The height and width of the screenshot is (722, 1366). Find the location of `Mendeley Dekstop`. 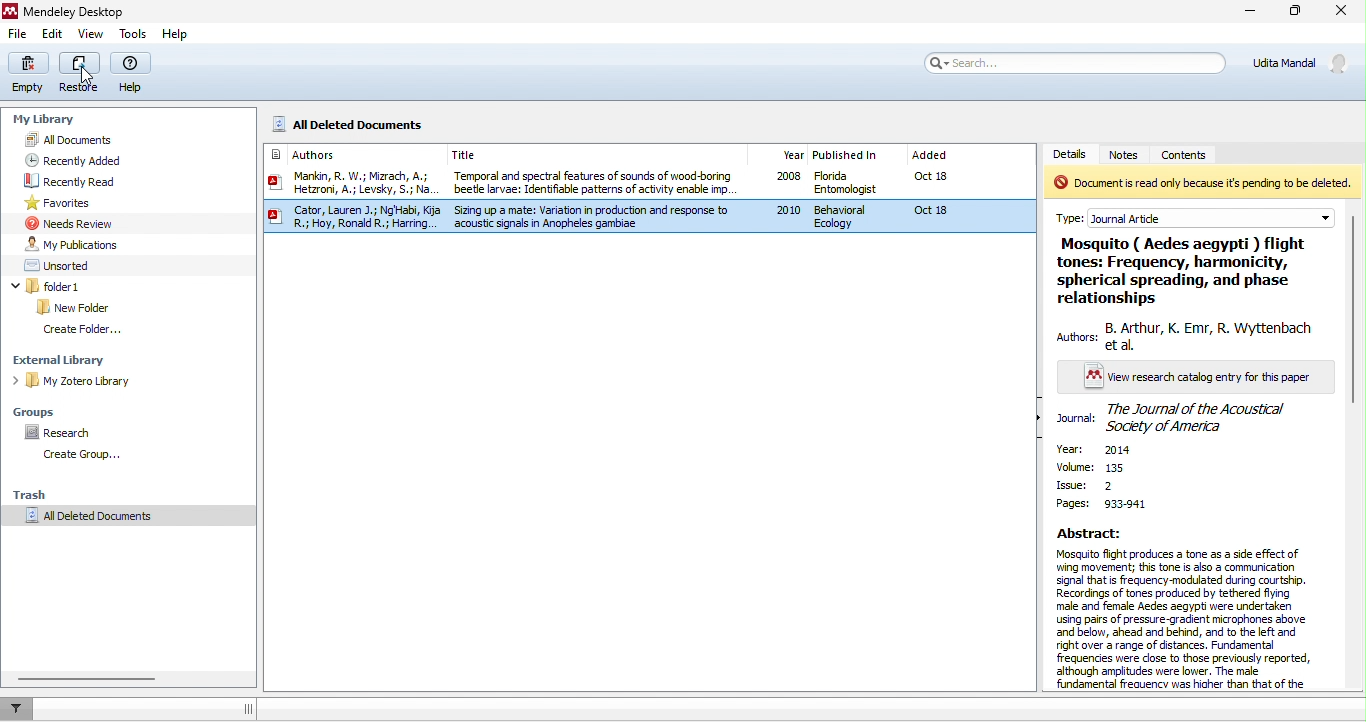

Mendeley Dekstop is located at coordinates (67, 11).